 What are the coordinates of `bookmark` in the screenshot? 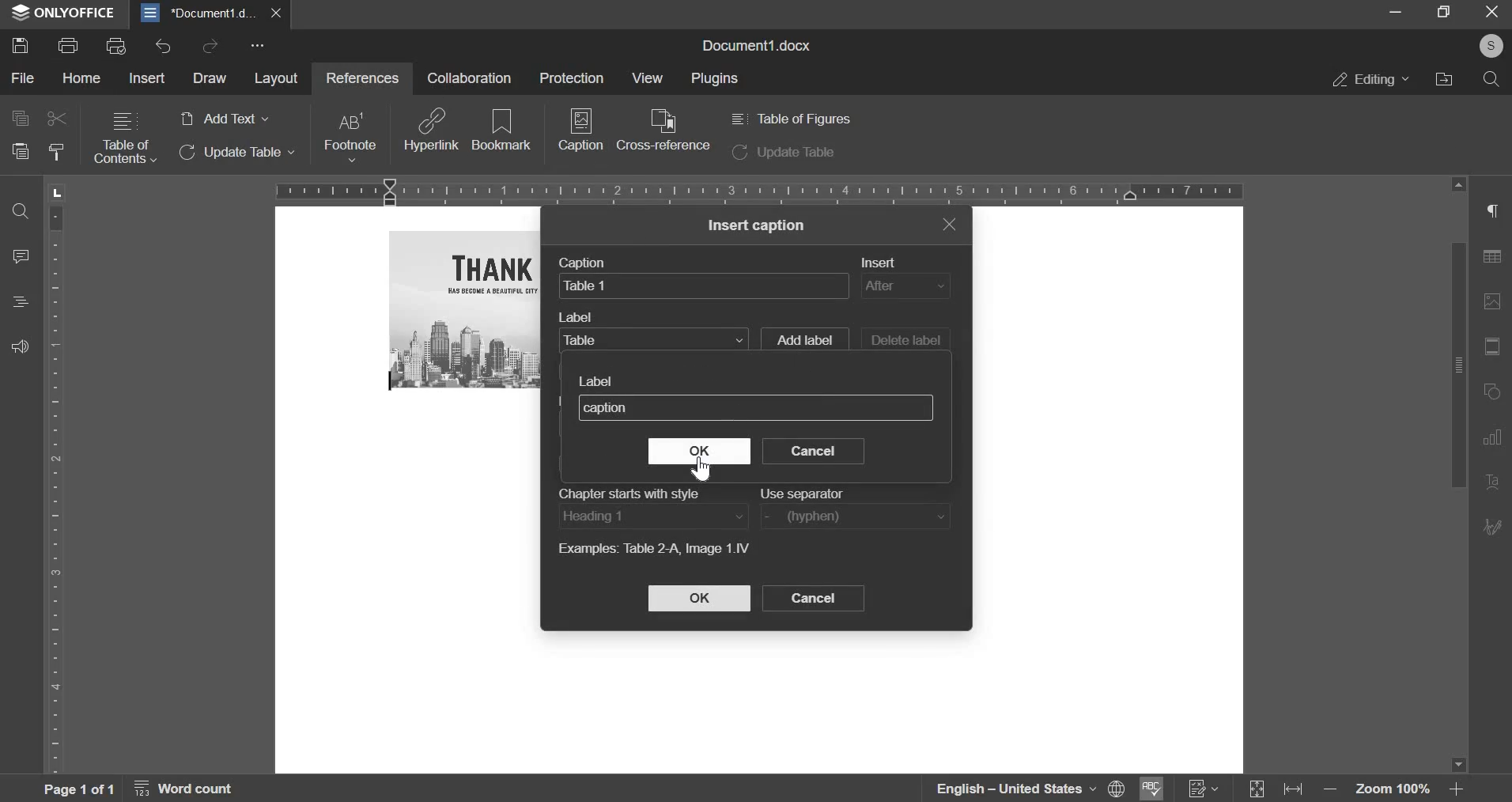 It's located at (502, 128).